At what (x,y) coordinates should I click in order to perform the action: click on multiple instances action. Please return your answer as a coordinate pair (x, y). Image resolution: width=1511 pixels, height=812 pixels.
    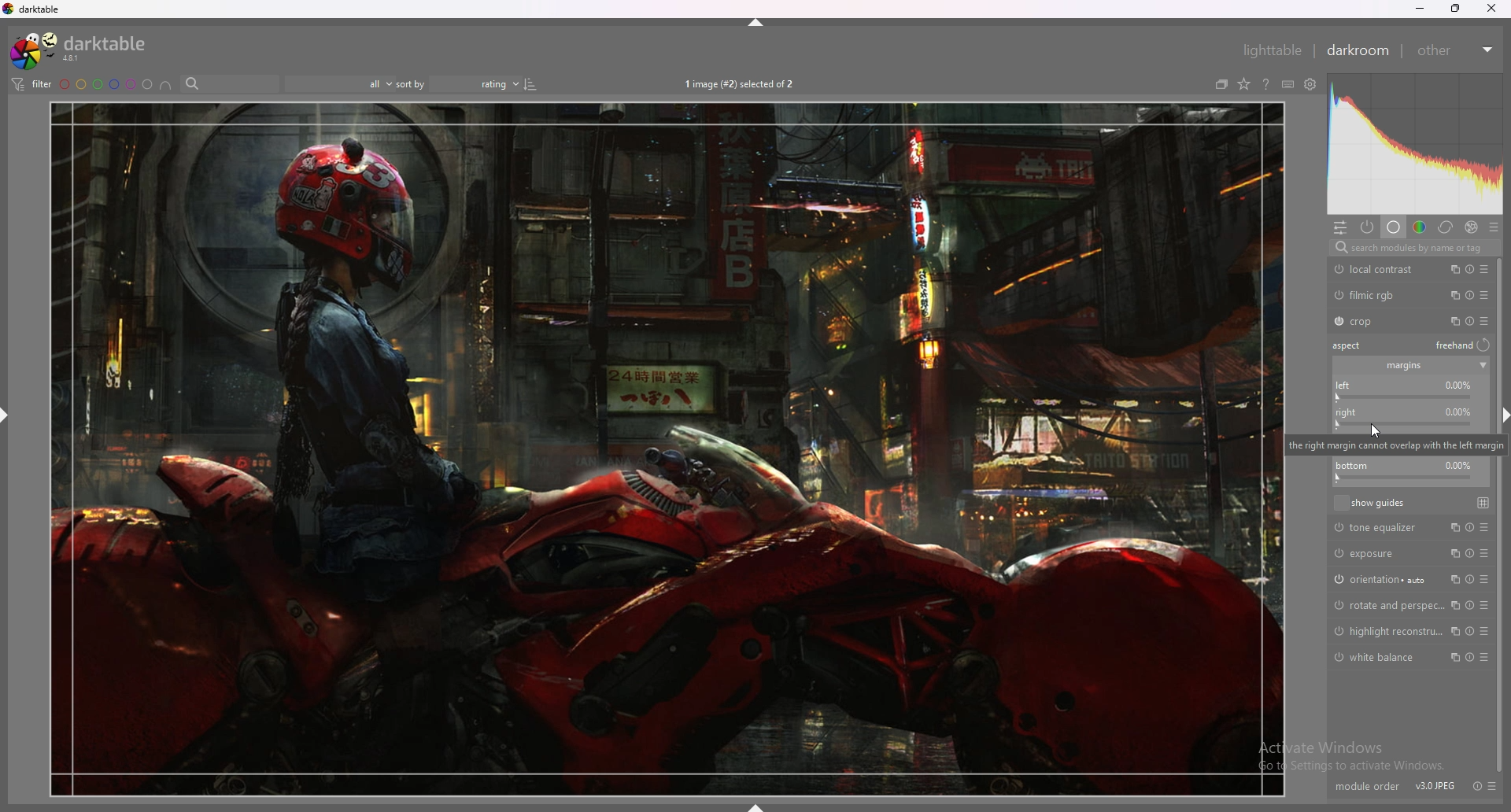
    Looking at the image, I should click on (1453, 631).